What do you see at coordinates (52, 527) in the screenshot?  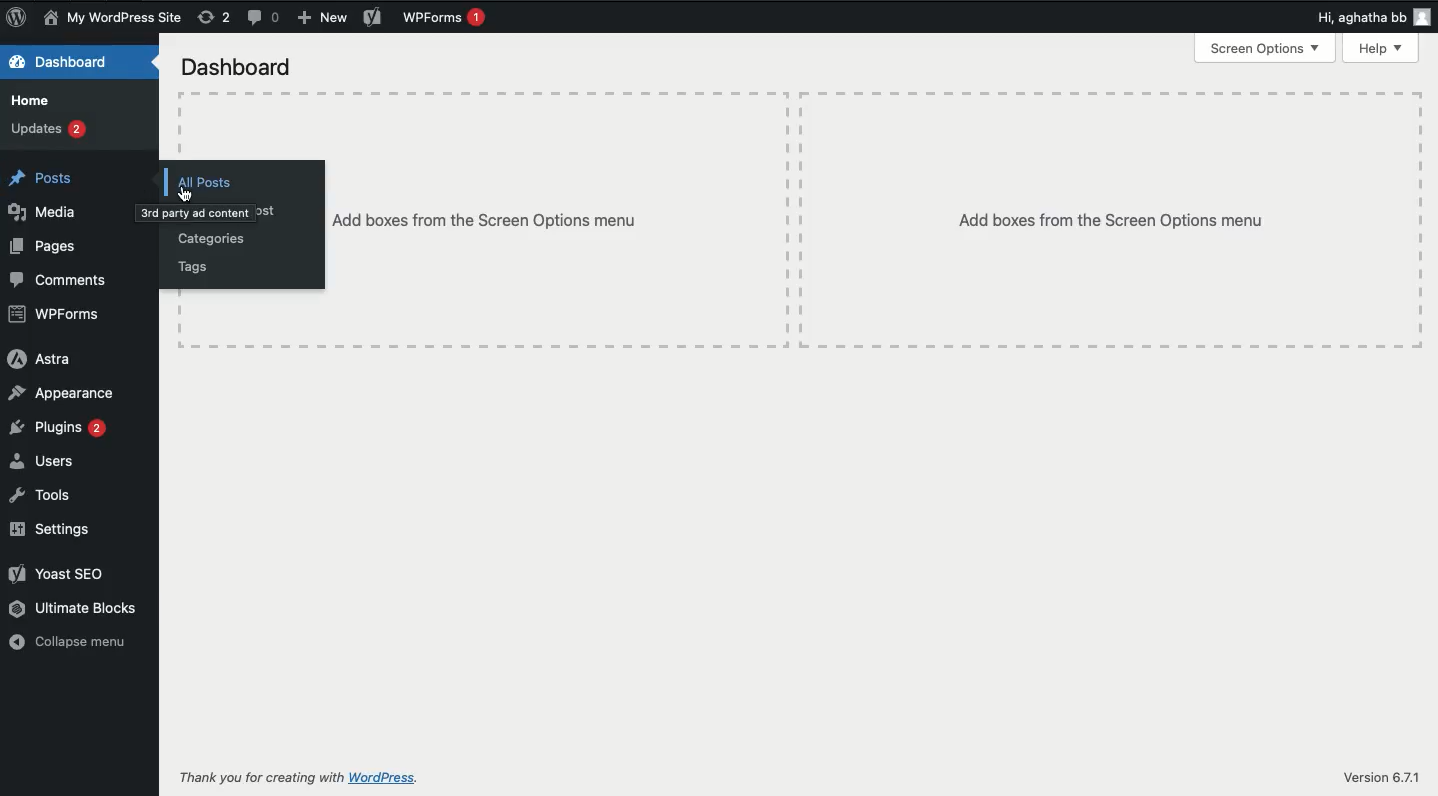 I see `Settings` at bounding box center [52, 527].